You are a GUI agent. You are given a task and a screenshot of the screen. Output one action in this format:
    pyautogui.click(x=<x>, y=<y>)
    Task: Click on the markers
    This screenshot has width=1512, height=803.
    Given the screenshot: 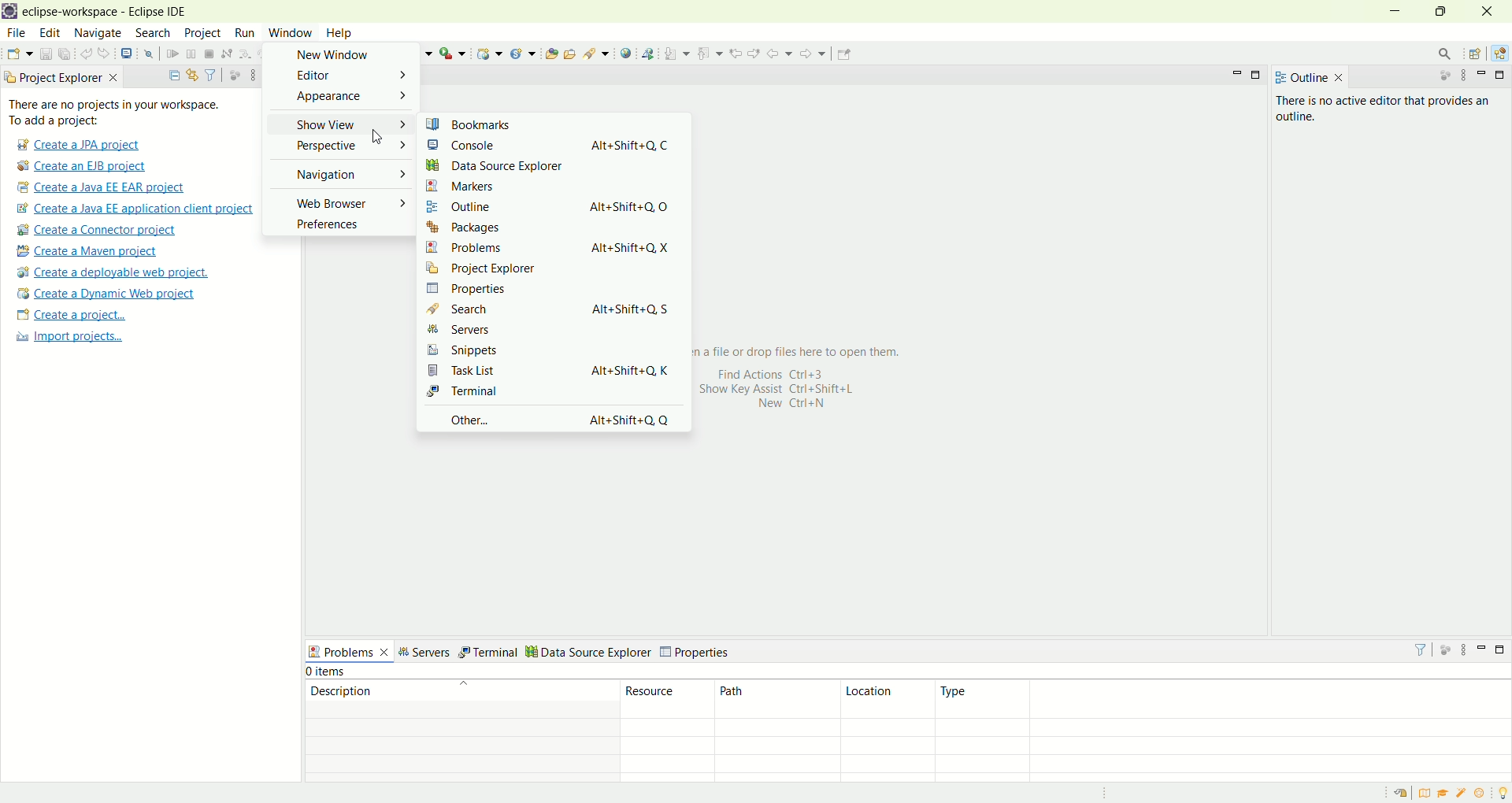 What is the action you would take?
    pyautogui.click(x=497, y=183)
    